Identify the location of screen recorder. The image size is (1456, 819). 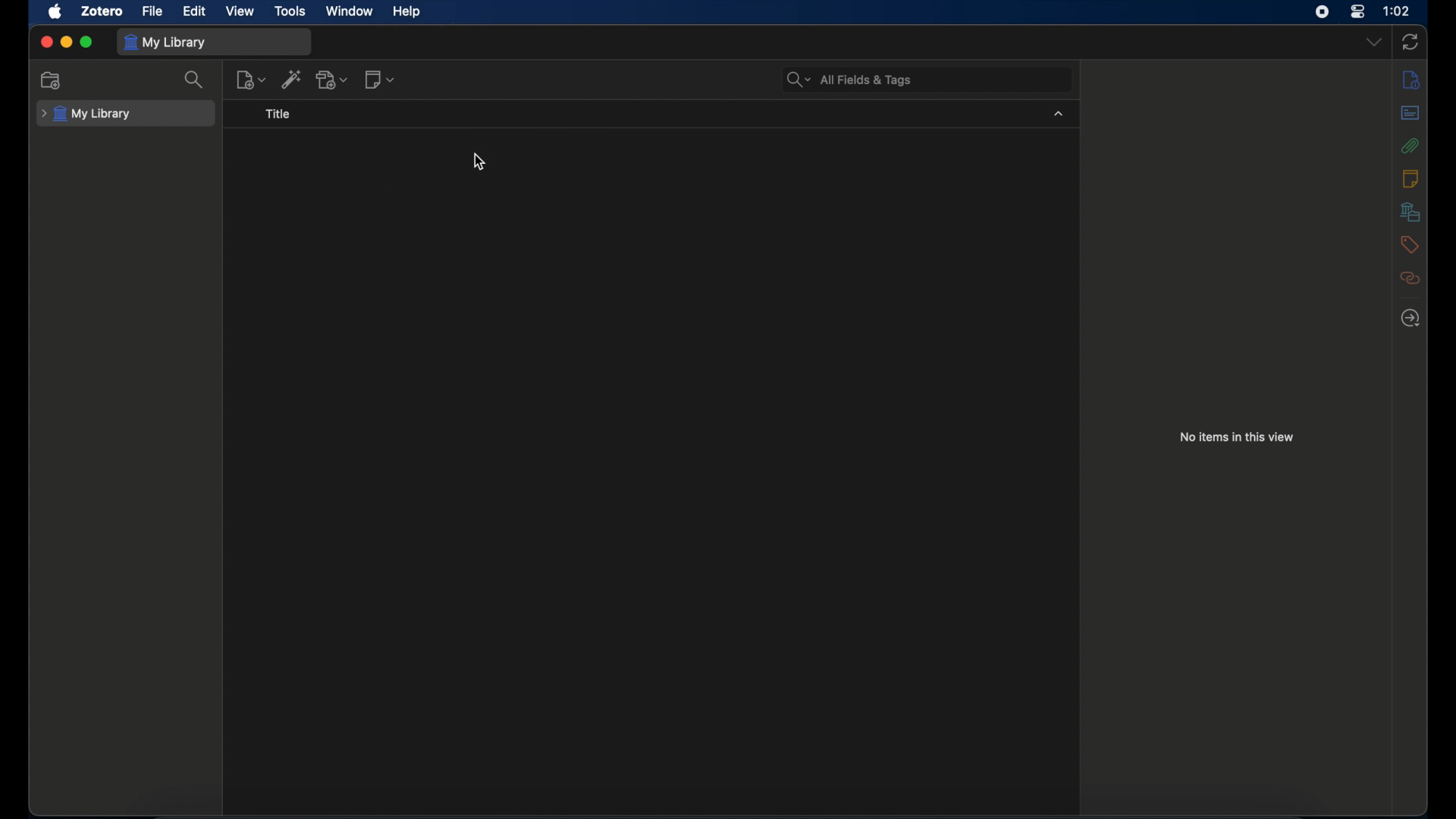
(1323, 12).